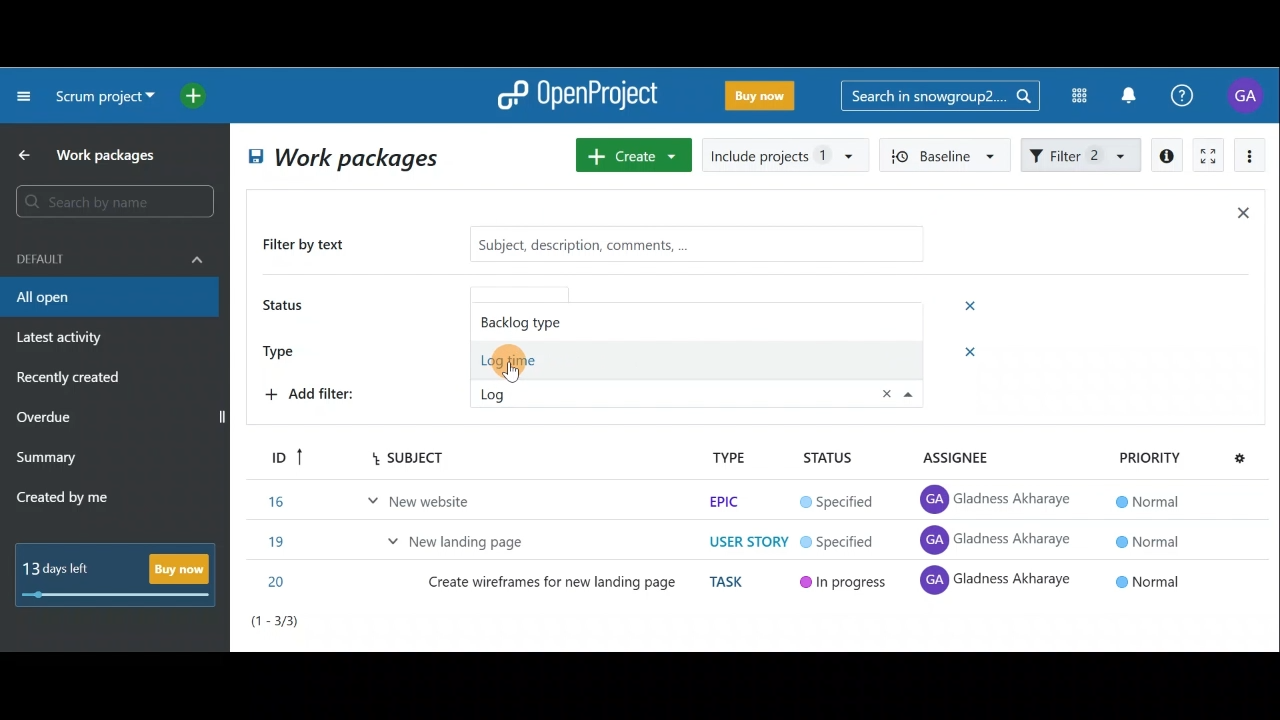  Describe the element at coordinates (730, 582) in the screenshot. I see `task` at that location.